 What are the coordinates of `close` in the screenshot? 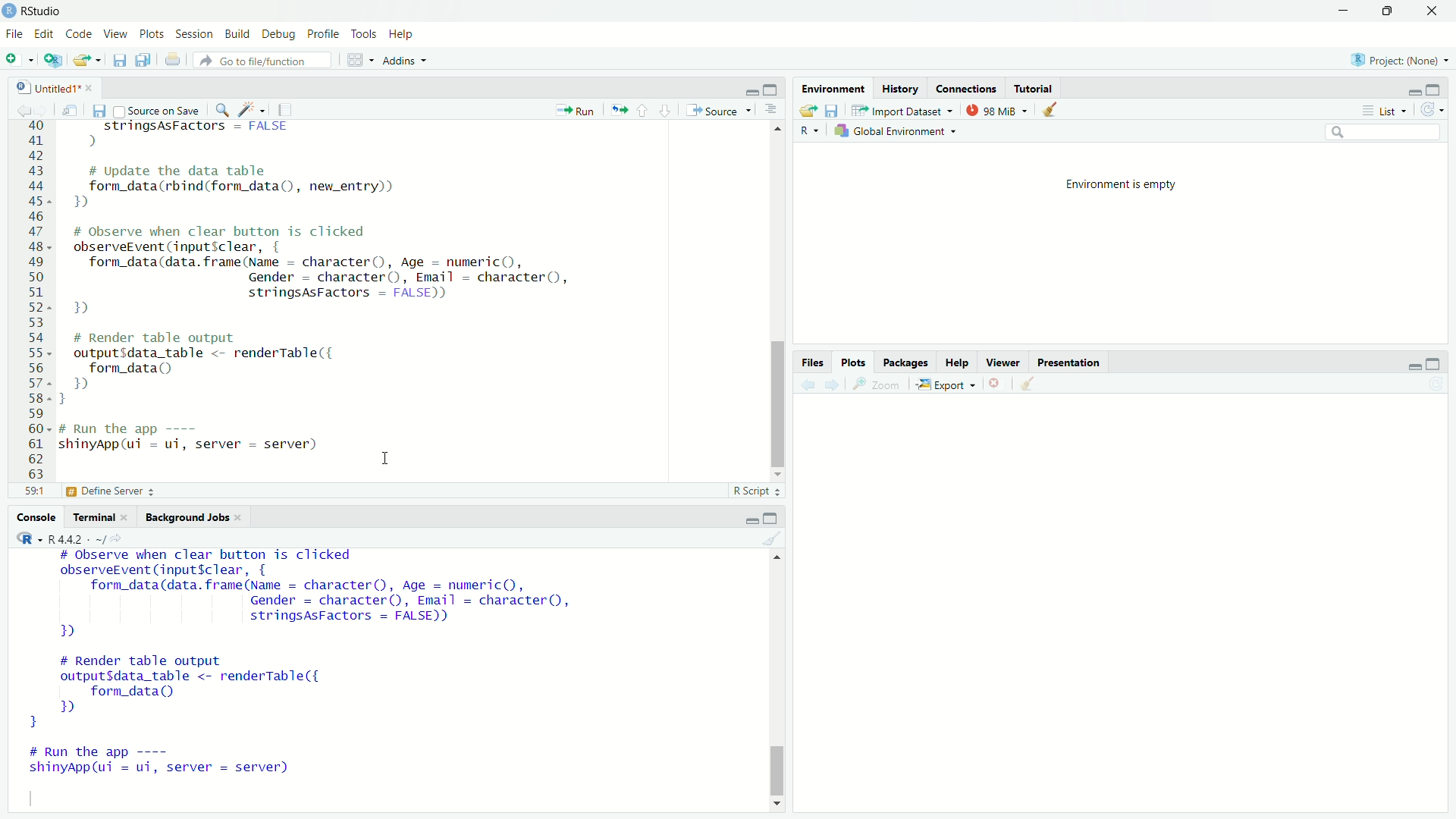 It's located at (90, 86).